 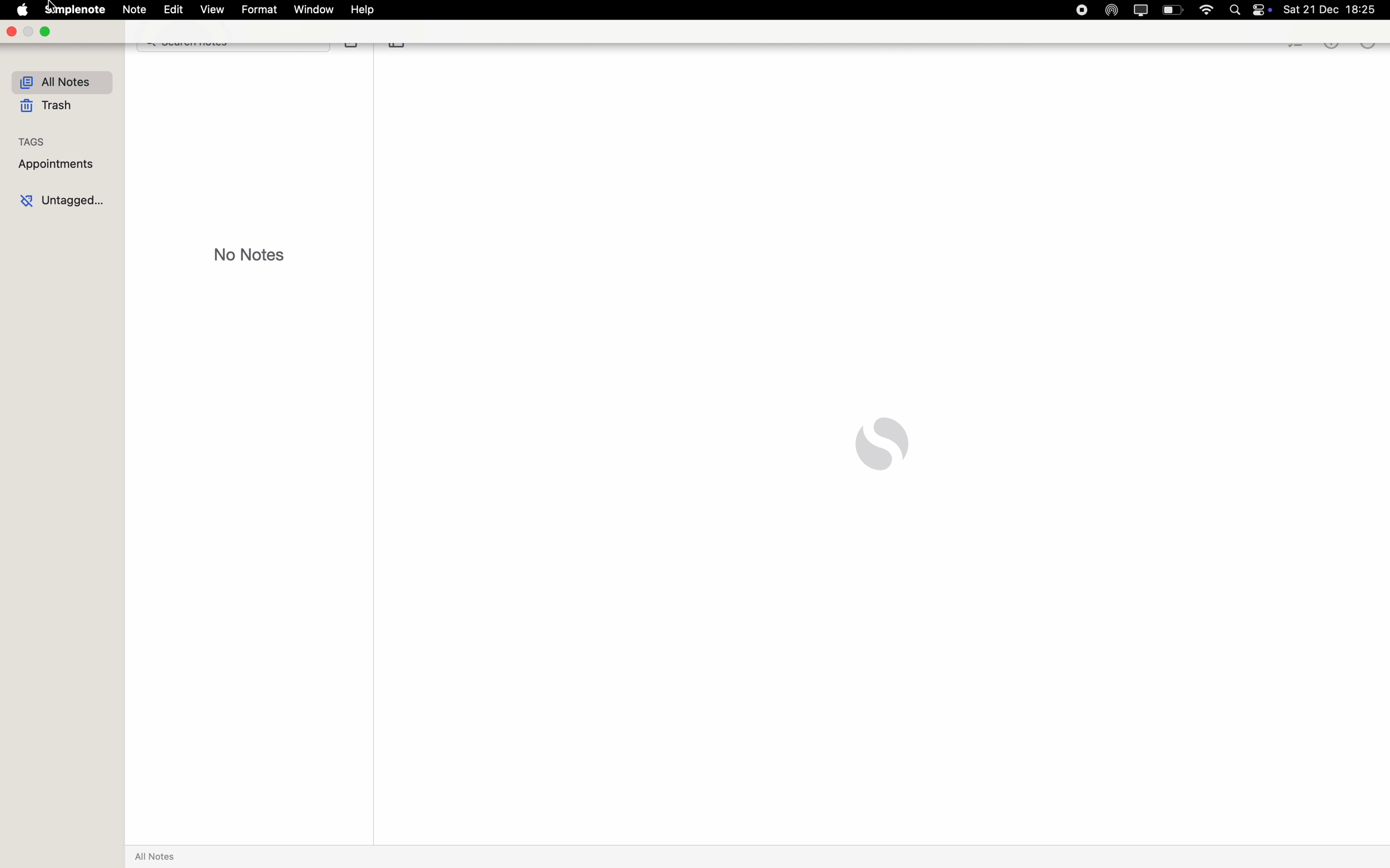 What do you see at coordinates (29, 31) in the screenshot?
I see `minimize Simplenote` at bounding box center [29, 31].